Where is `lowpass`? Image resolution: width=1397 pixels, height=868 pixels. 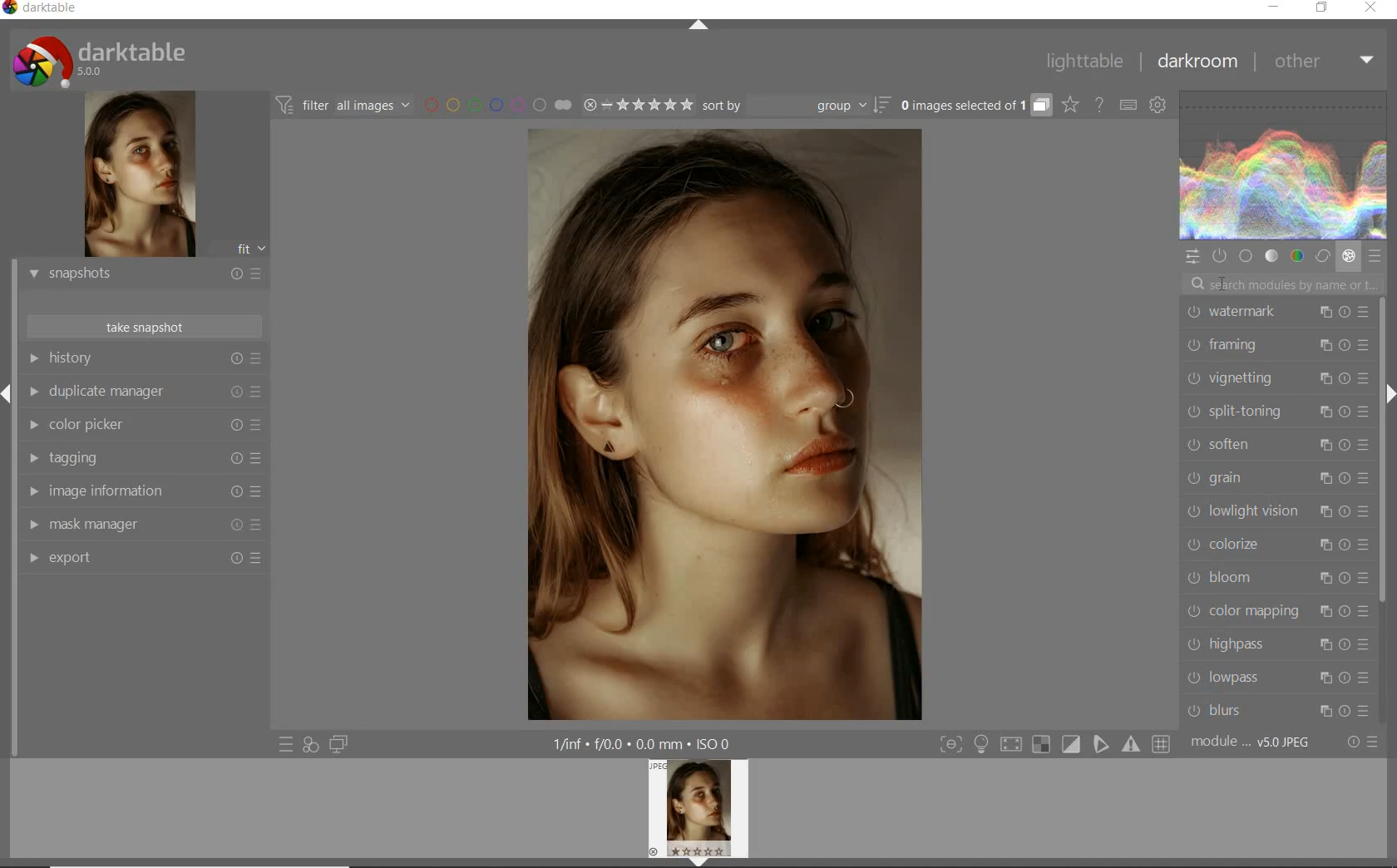 lowpass is located at coordinates (1276, 678).